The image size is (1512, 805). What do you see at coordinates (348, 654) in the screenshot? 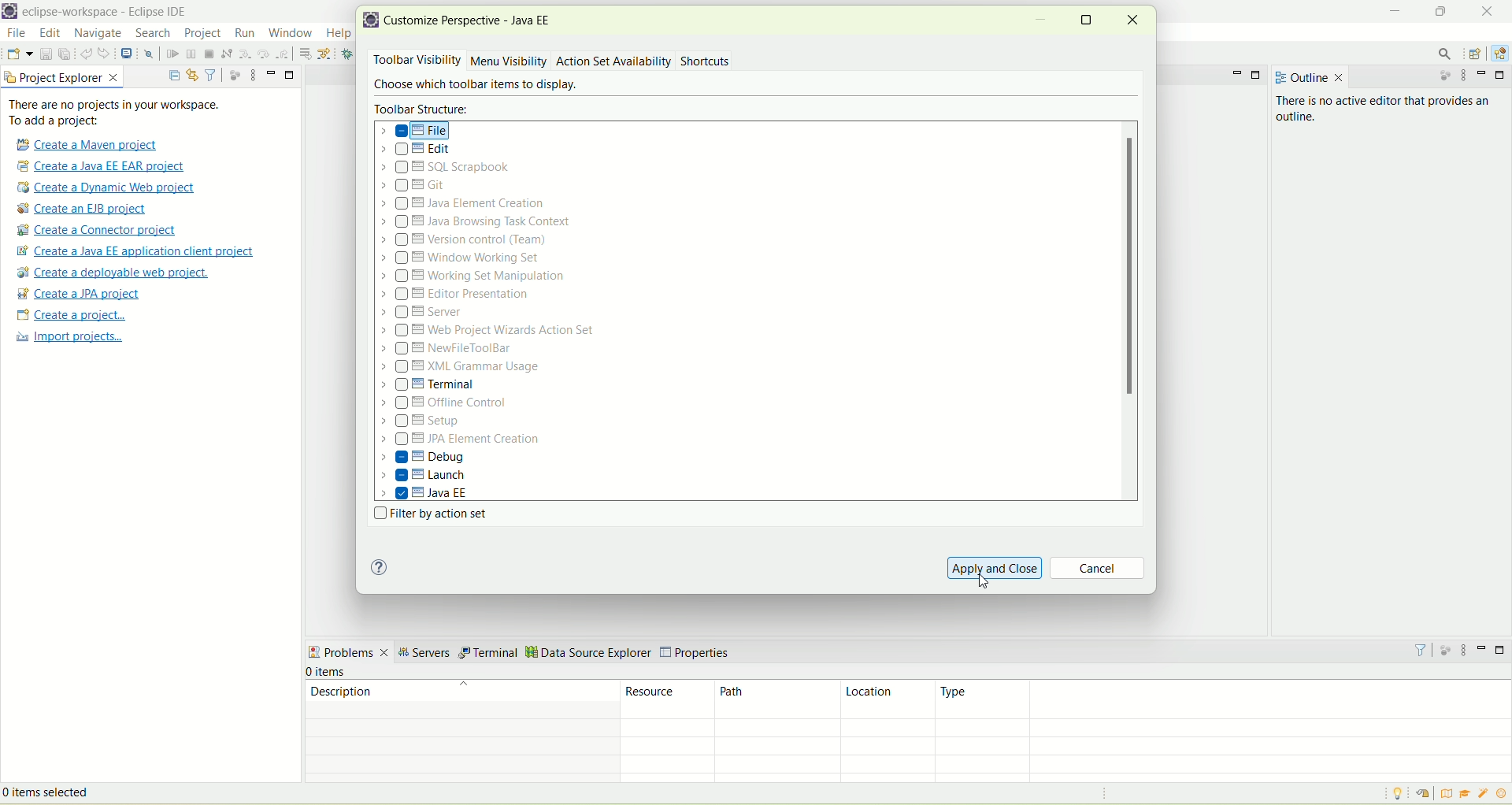
I see `problems` at bounding box center [348, 654].